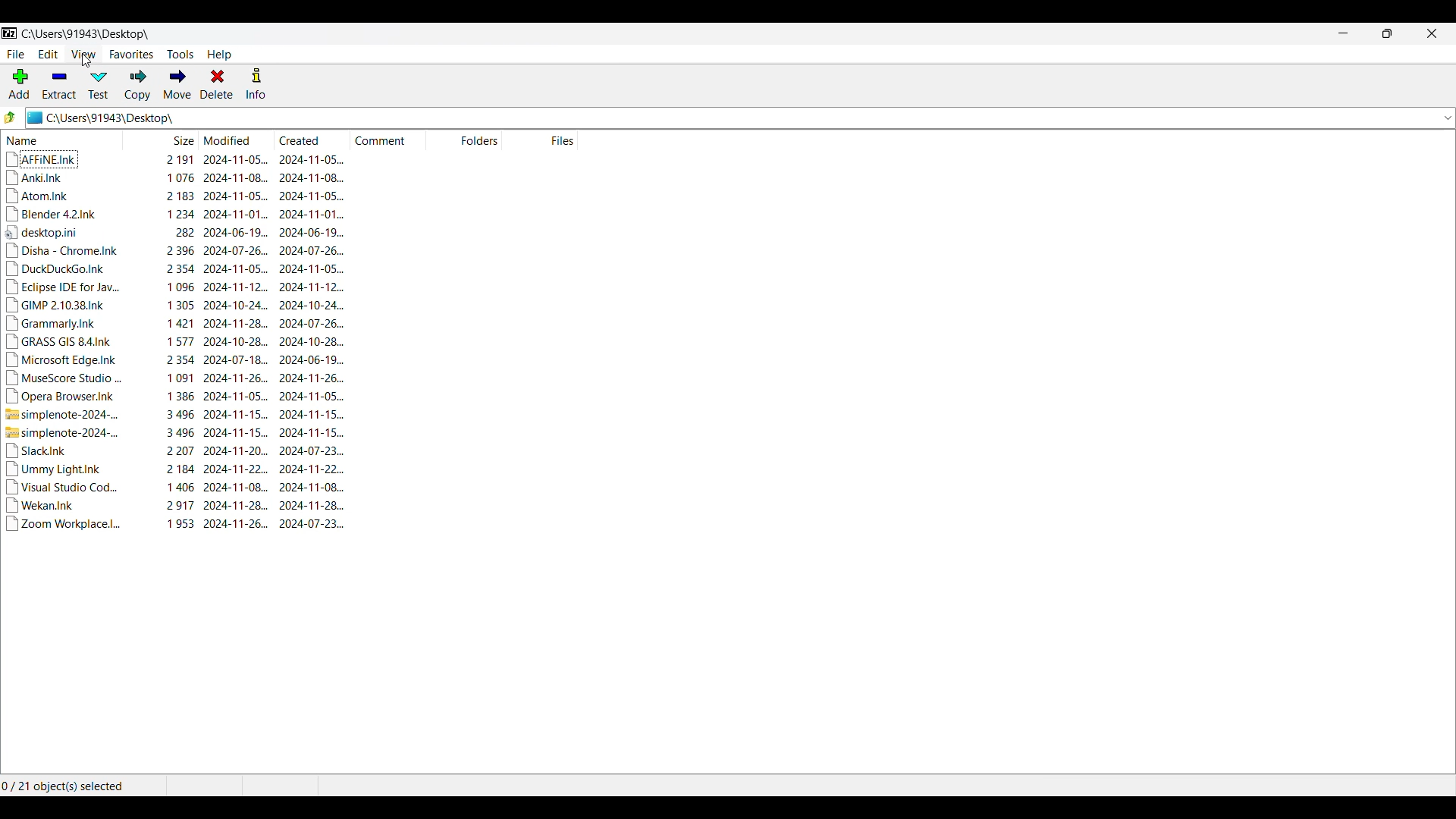  What do you see at coordinates (20, 83) in the screenshot?
I see `Add` at bounding box center [20, 83].